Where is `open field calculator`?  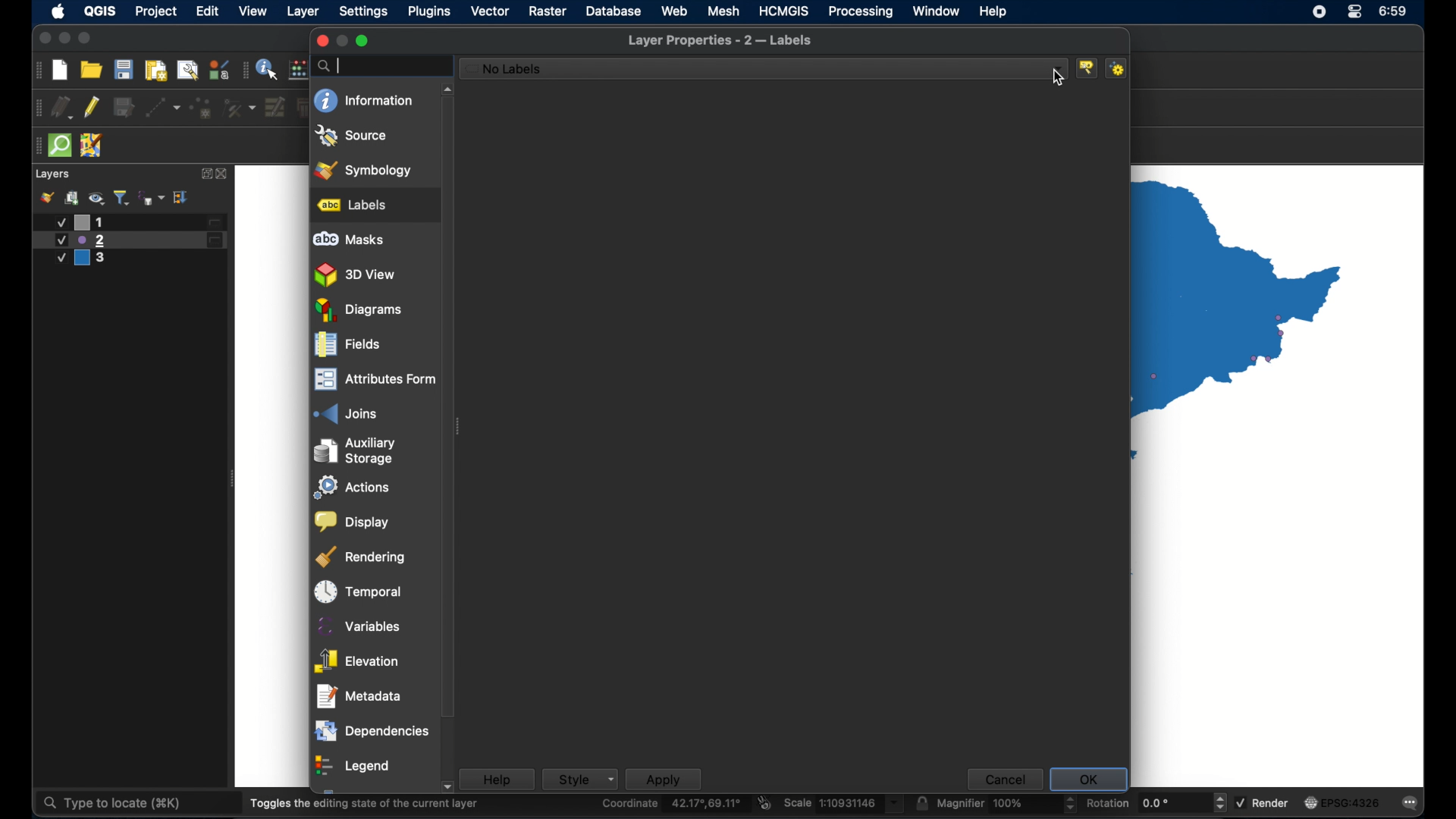 open field calculator is located at coordinates (300, 69).